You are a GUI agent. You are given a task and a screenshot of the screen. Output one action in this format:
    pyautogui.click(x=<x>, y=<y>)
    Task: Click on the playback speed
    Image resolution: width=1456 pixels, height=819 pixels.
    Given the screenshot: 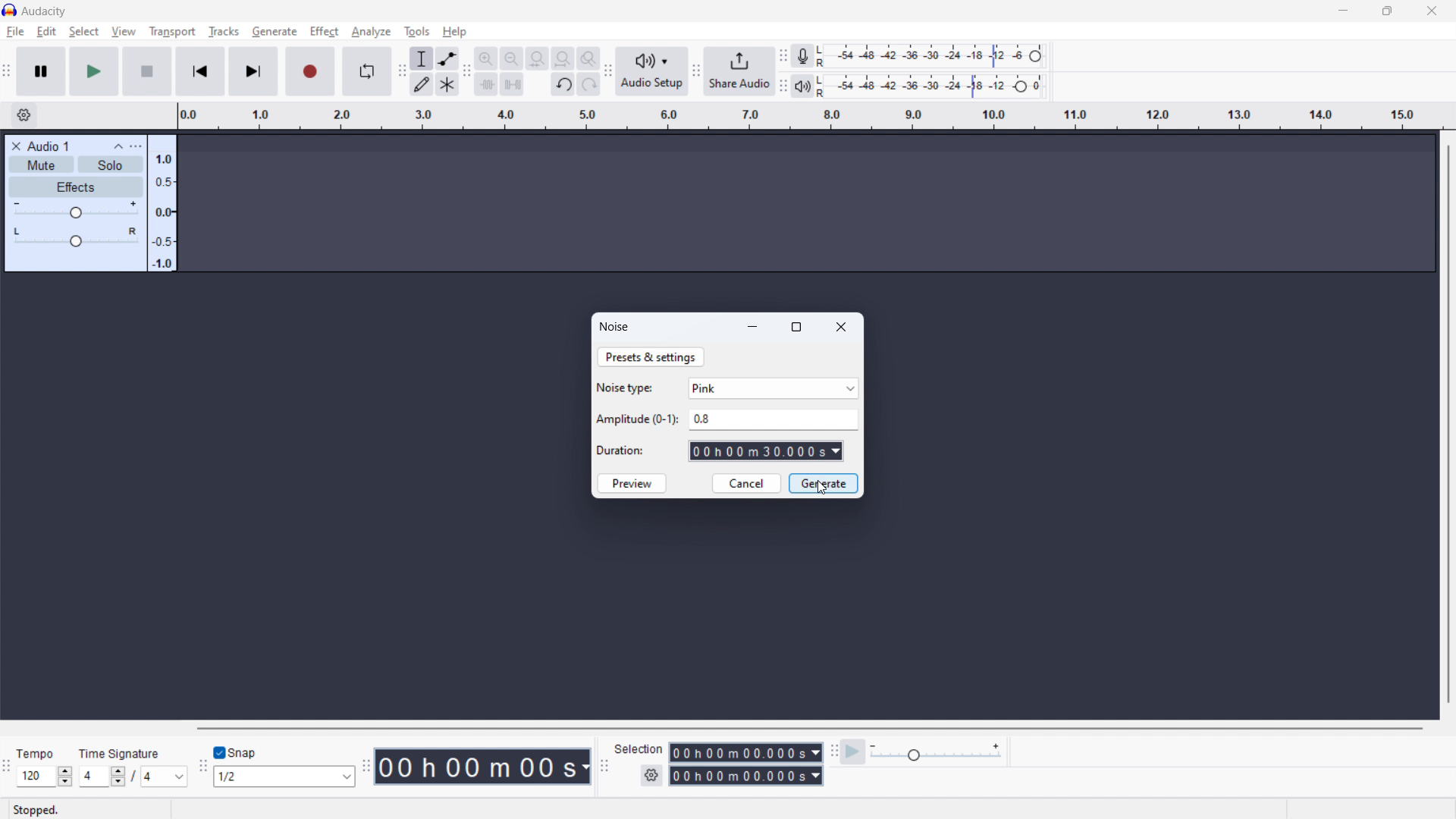 What is the action you would take?
    pyautogui.click(x=936, y=753)
    